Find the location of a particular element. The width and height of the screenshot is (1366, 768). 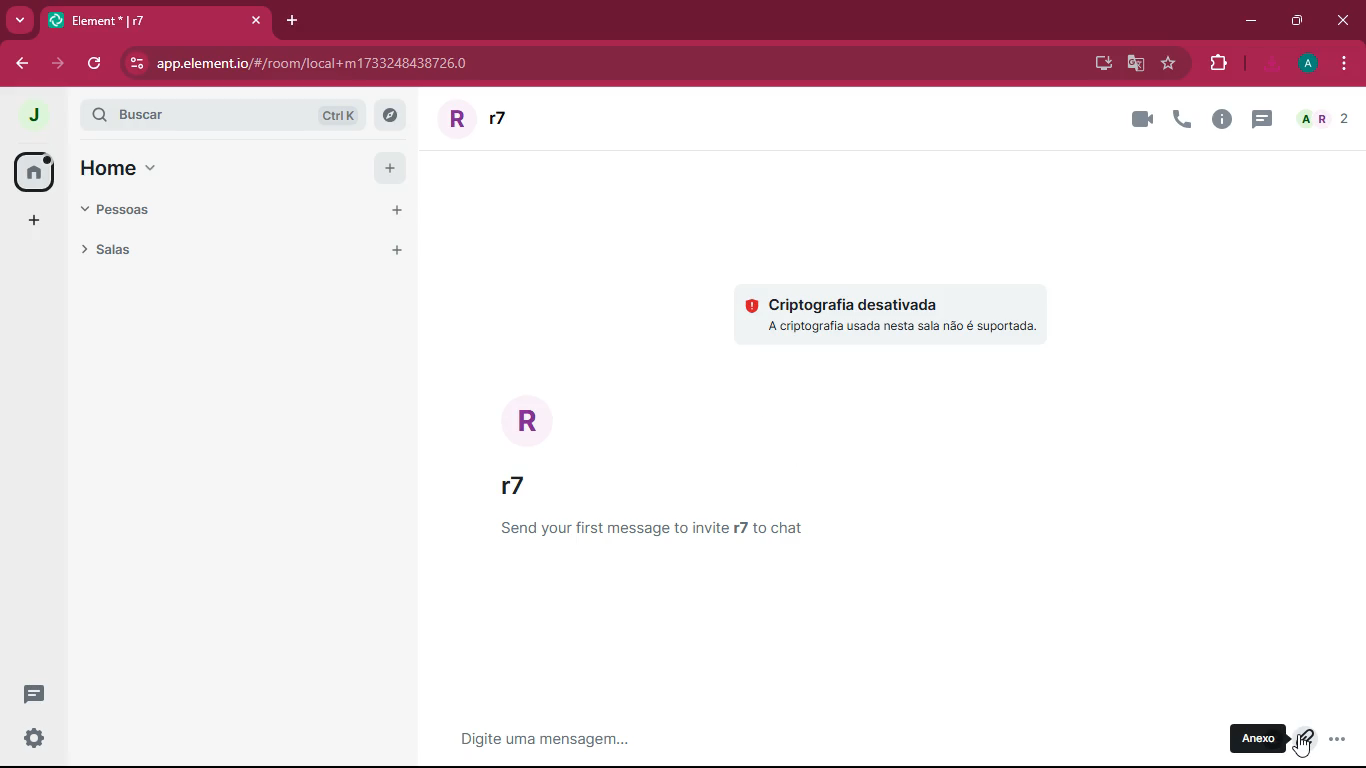

call is located at coordinates (1182, 119).